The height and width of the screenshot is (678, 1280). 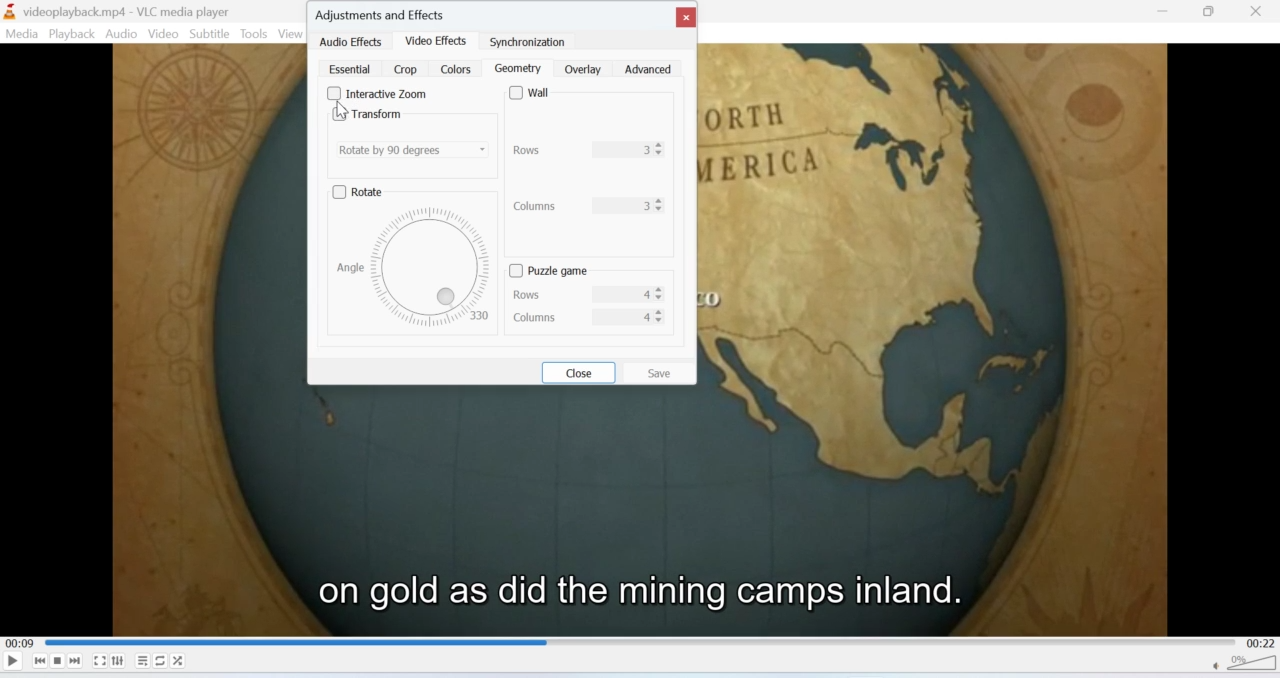 What do you see at coordinates (1263, 643) in the screenshot?
I see `00:22` at bounding box center [1263, 643].